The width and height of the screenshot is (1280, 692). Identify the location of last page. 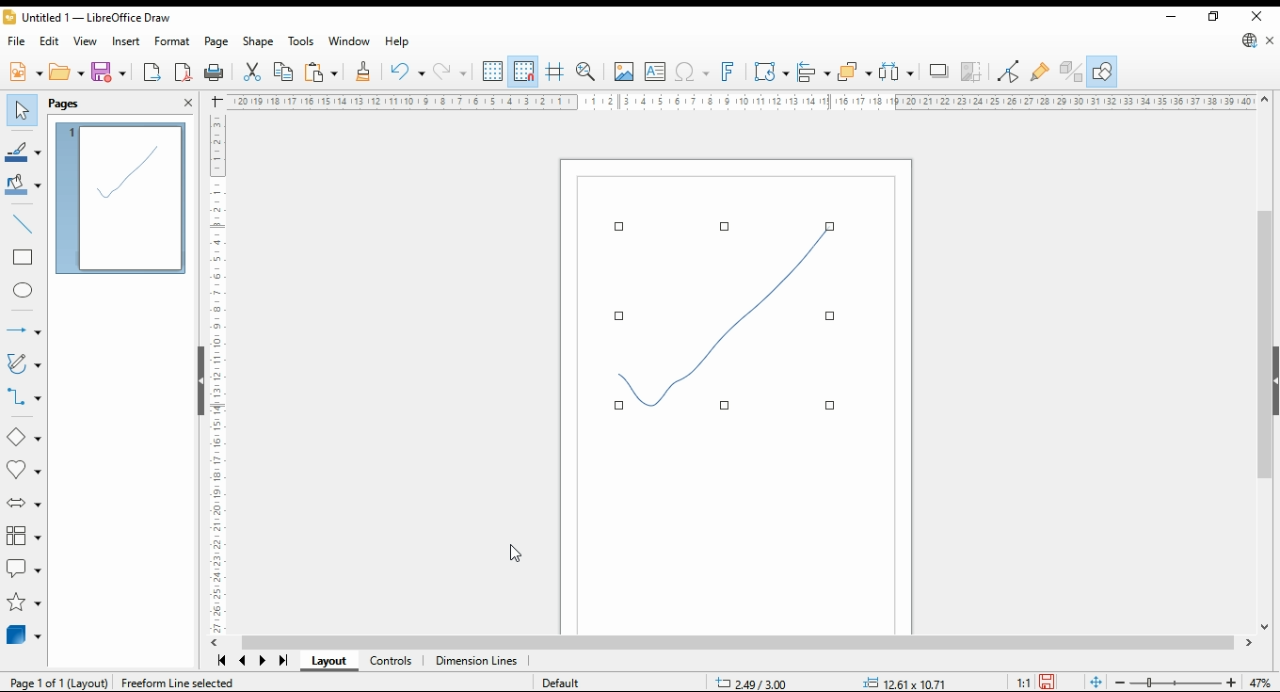
(284, 661).